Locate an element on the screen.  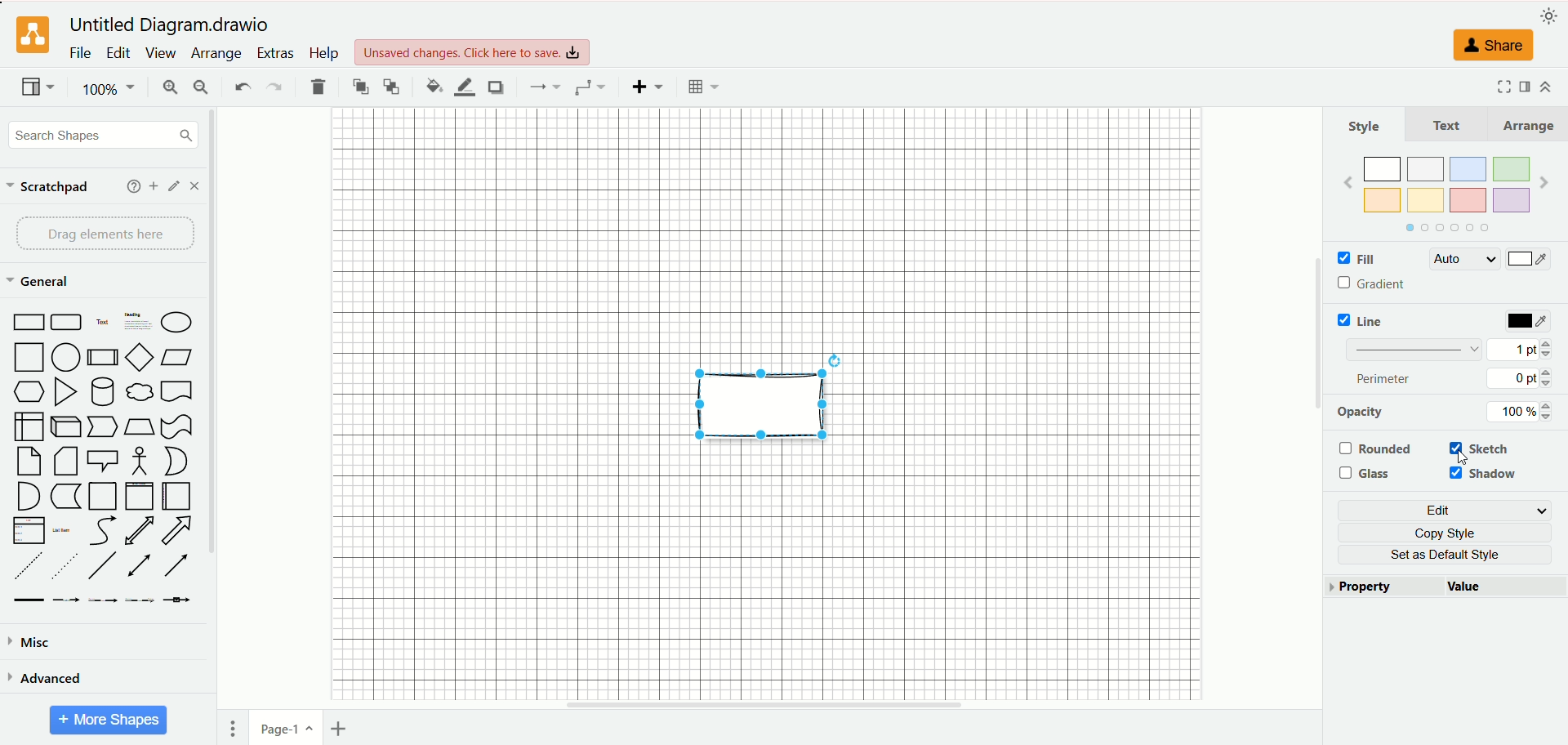
1 pt is located at coordinates (1520, 348).